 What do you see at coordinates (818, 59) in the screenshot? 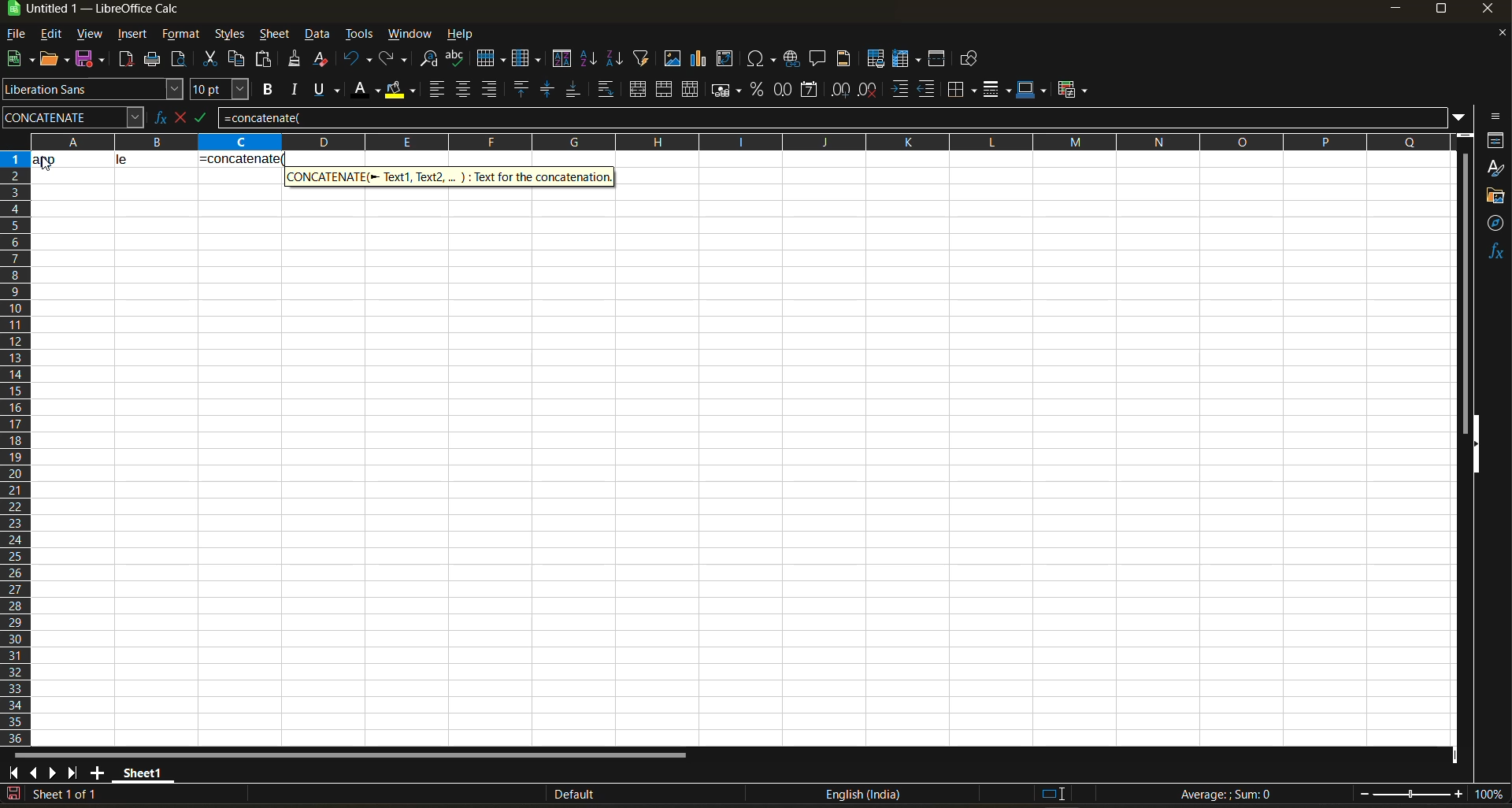
I see `insert comment` at bounding box center [818, 59].